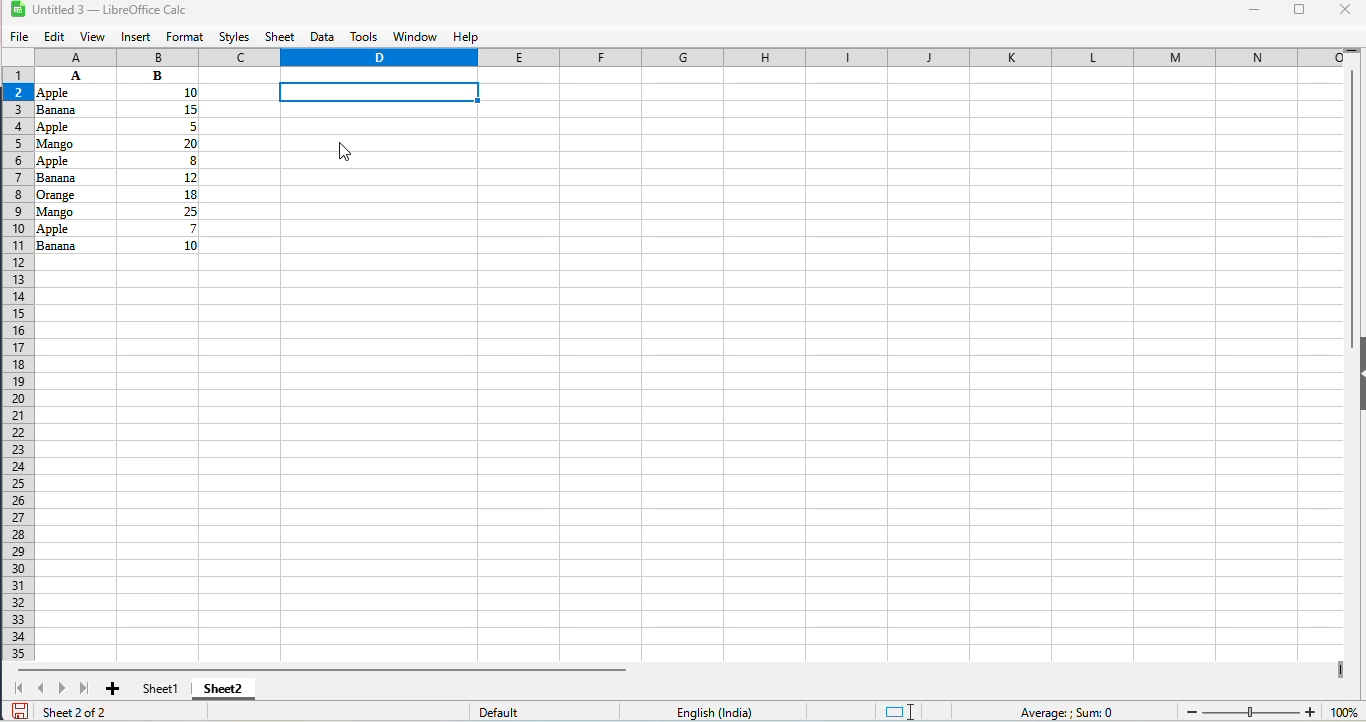 The height and width of the screenshot is (722, 1366). Describe the element at coordinates (18, 687) in the screenshot. I see `scroll to first sheet` at that location.